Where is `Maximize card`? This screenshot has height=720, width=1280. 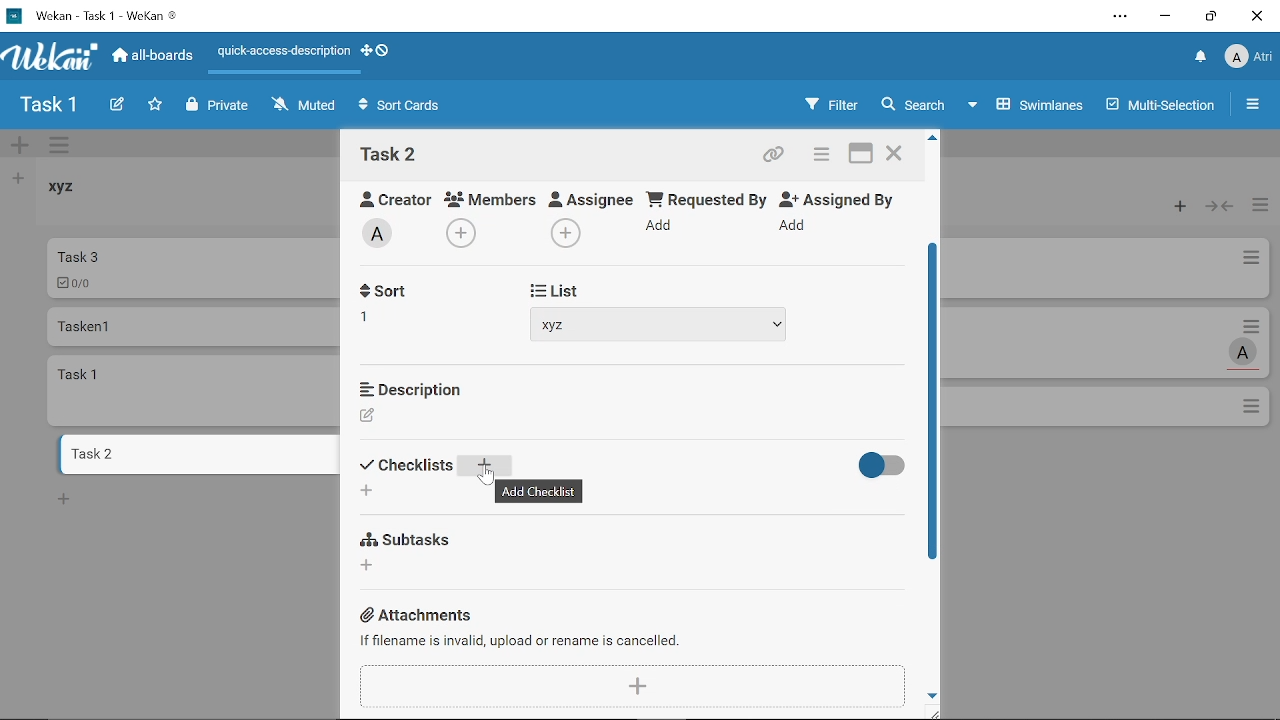
Maximize card is located at coordinates (861, 156).